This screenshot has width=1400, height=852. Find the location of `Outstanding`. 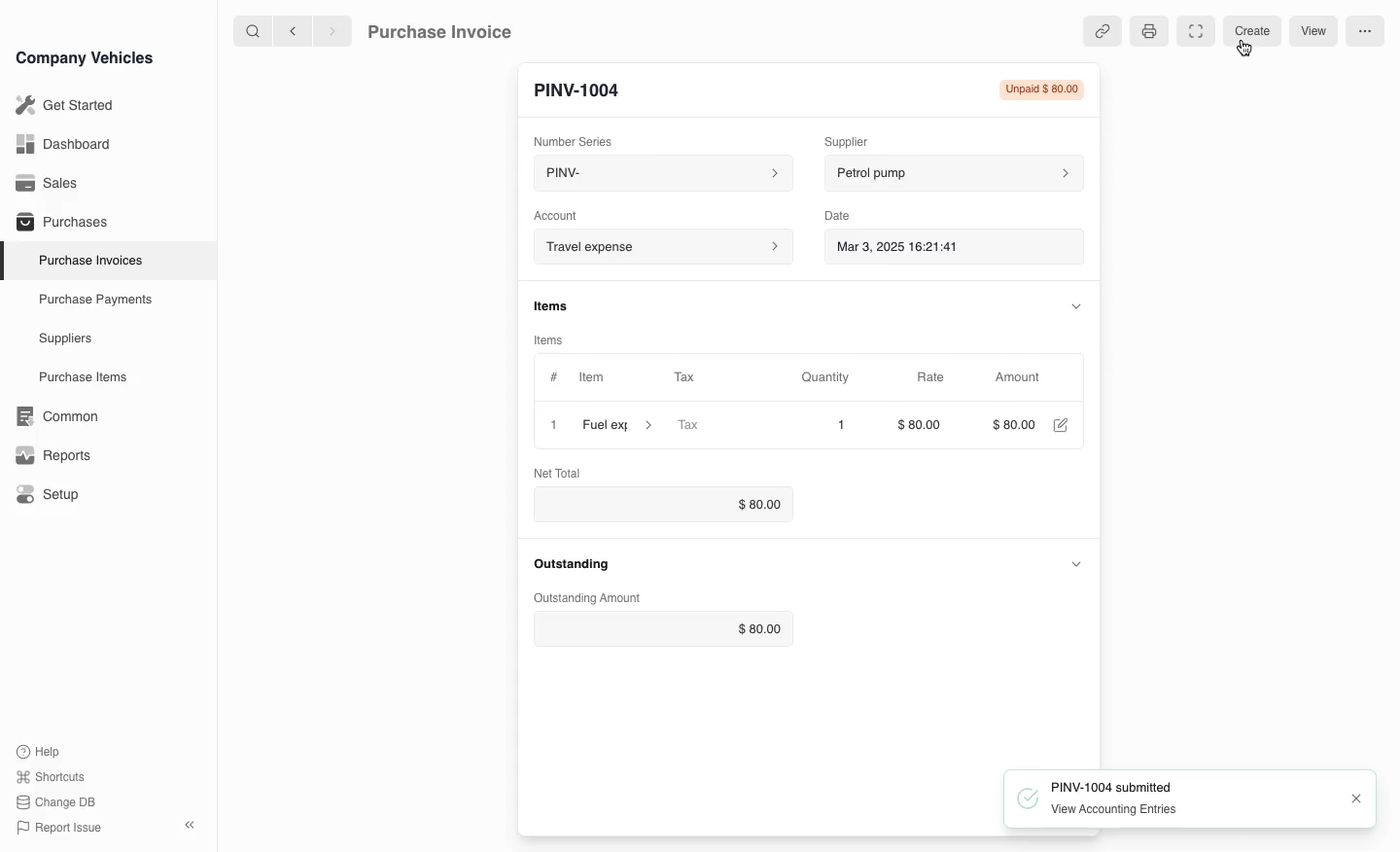

Outstanding is located at coordinates (576, 565).